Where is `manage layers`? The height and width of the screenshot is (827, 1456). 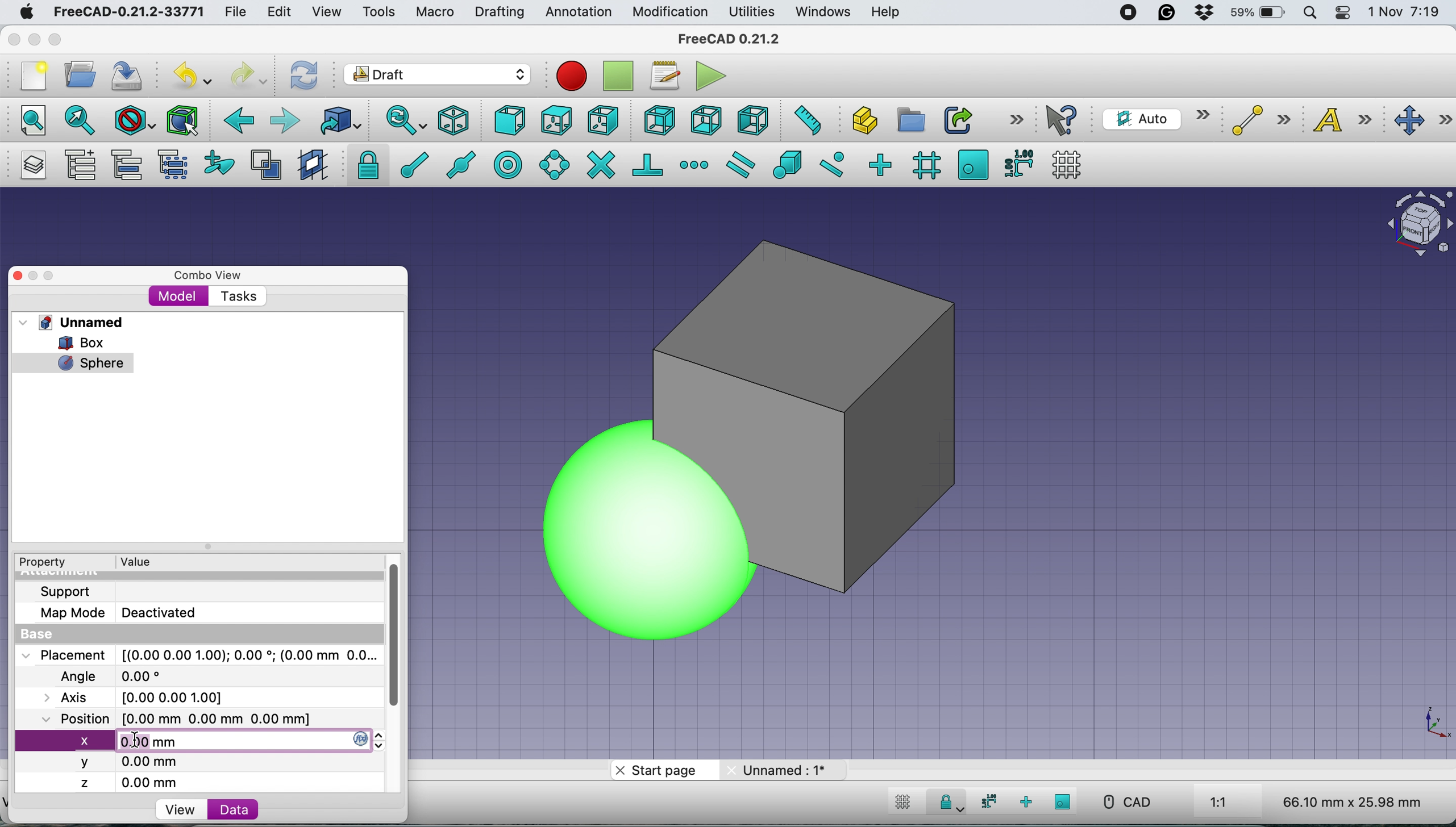
manage layers is located at coordinates (30, 165).